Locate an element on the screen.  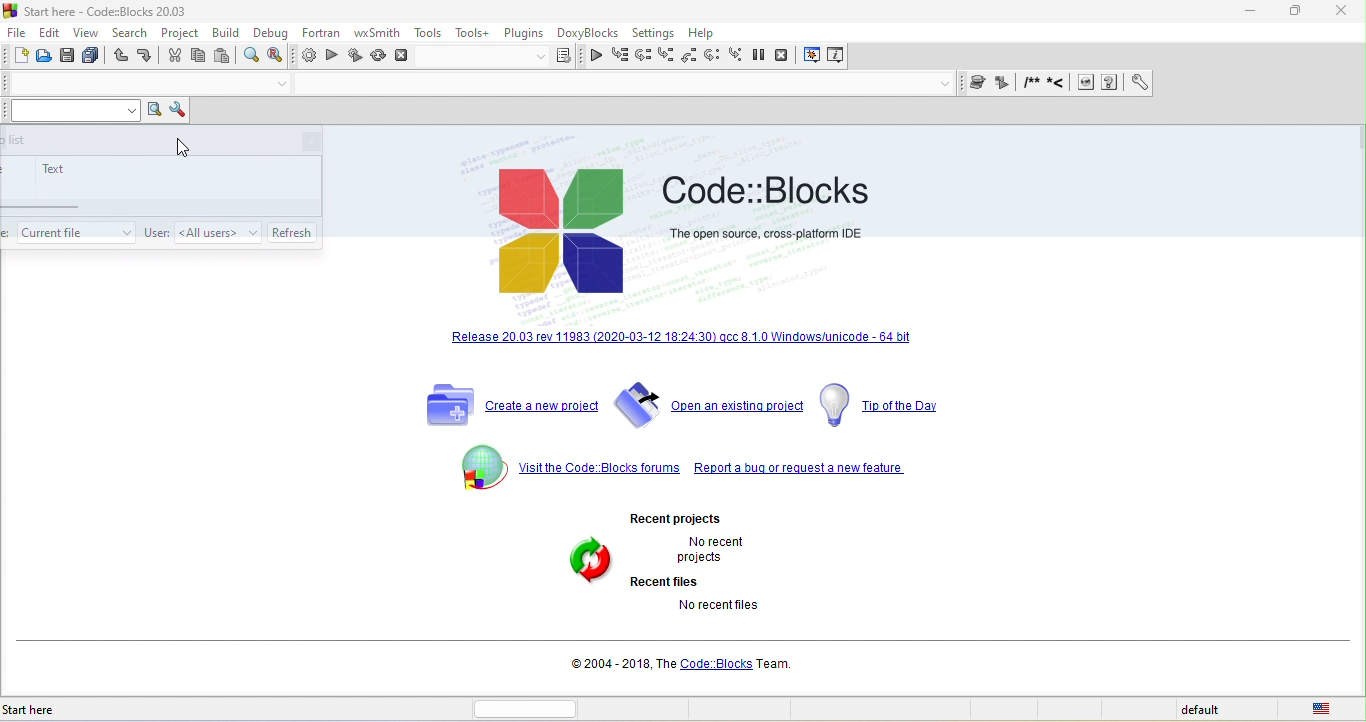
2004-2018 the code blocks team is located at coordinates (686, 663).